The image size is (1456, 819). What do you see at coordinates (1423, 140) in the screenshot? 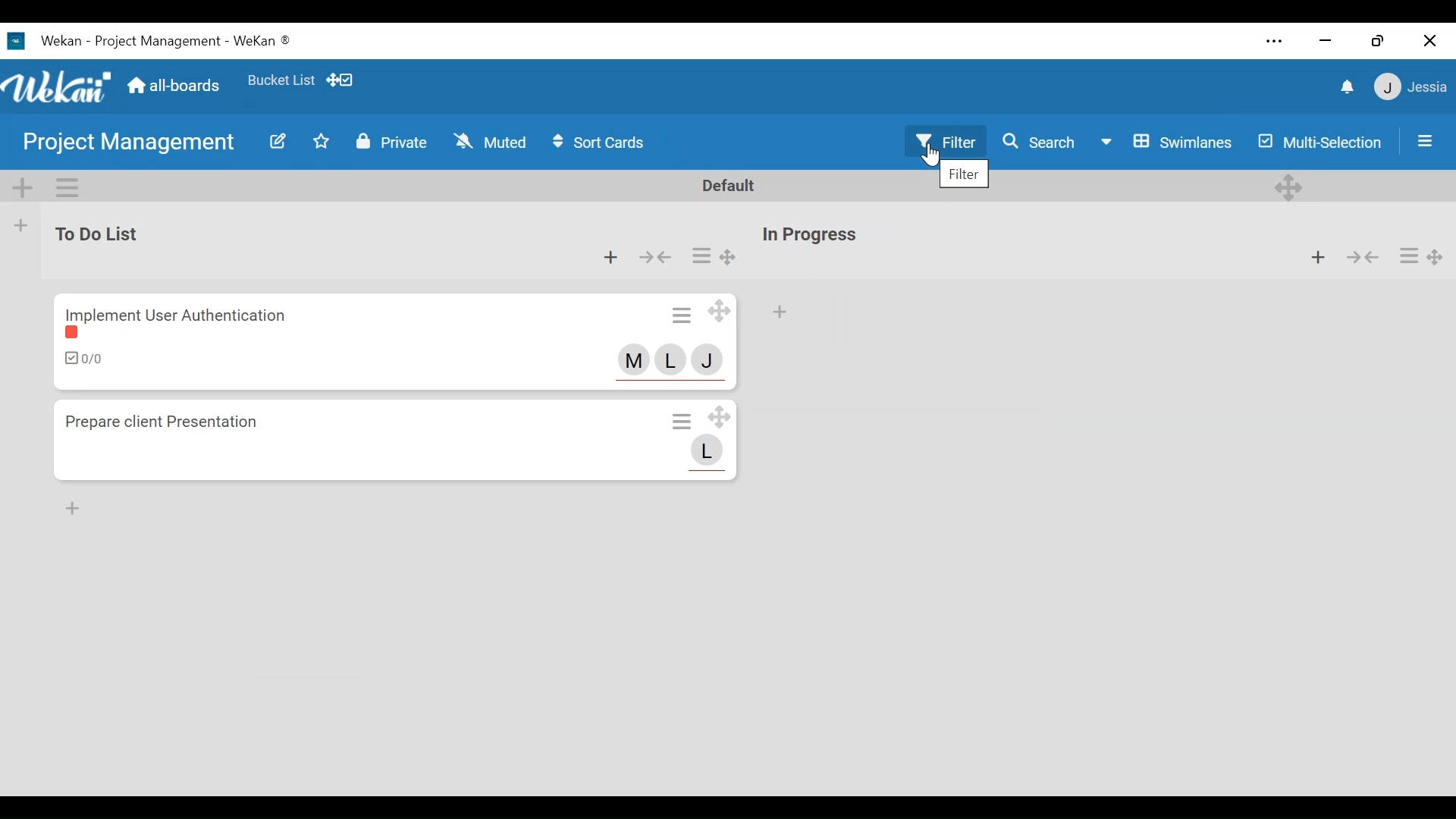
I see `Open/Close Sidepane` at bounding box center [1423, 140].